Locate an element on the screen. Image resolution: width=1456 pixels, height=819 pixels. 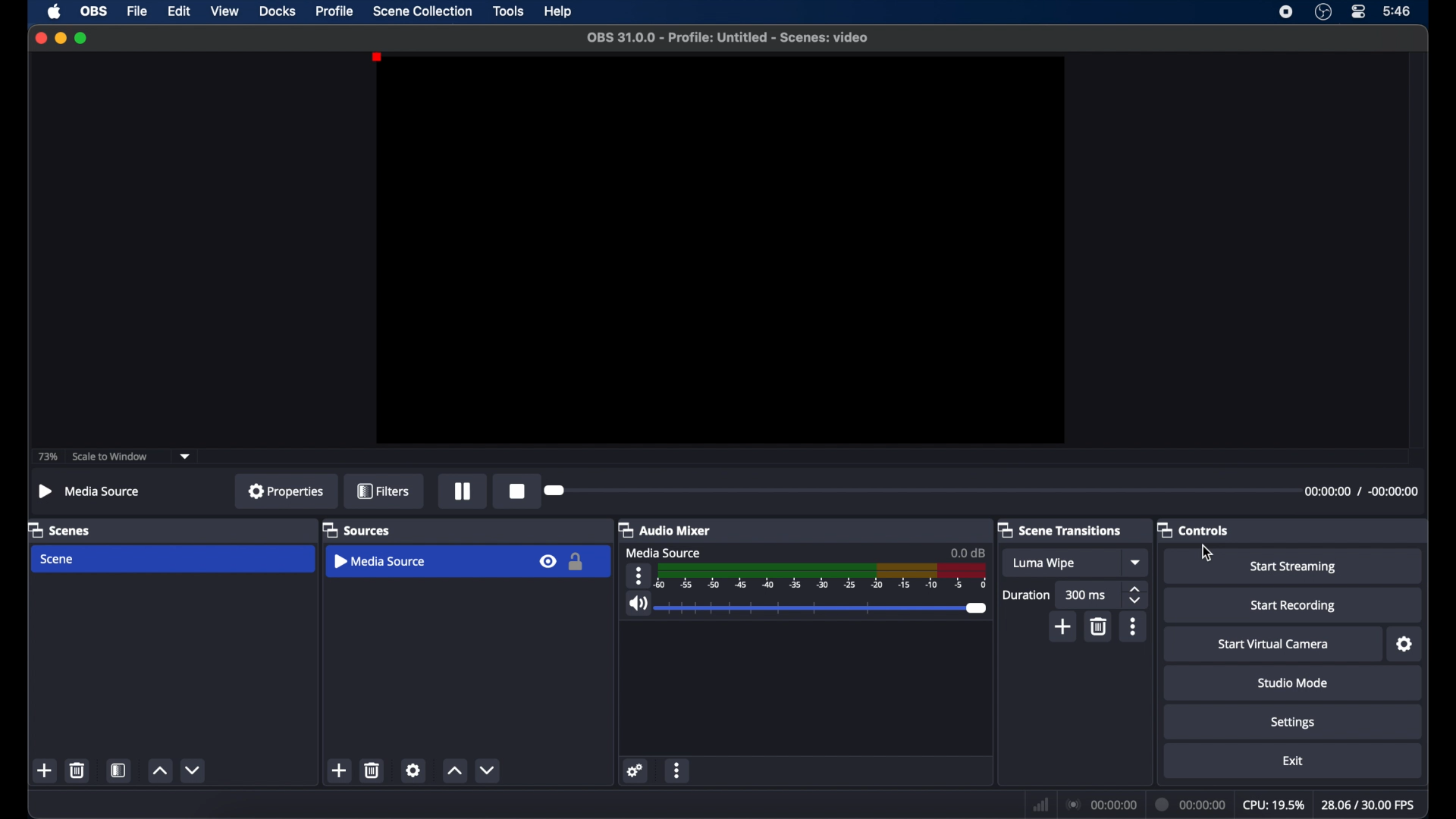
start virtual camera is located at coordinates (1273, 645).